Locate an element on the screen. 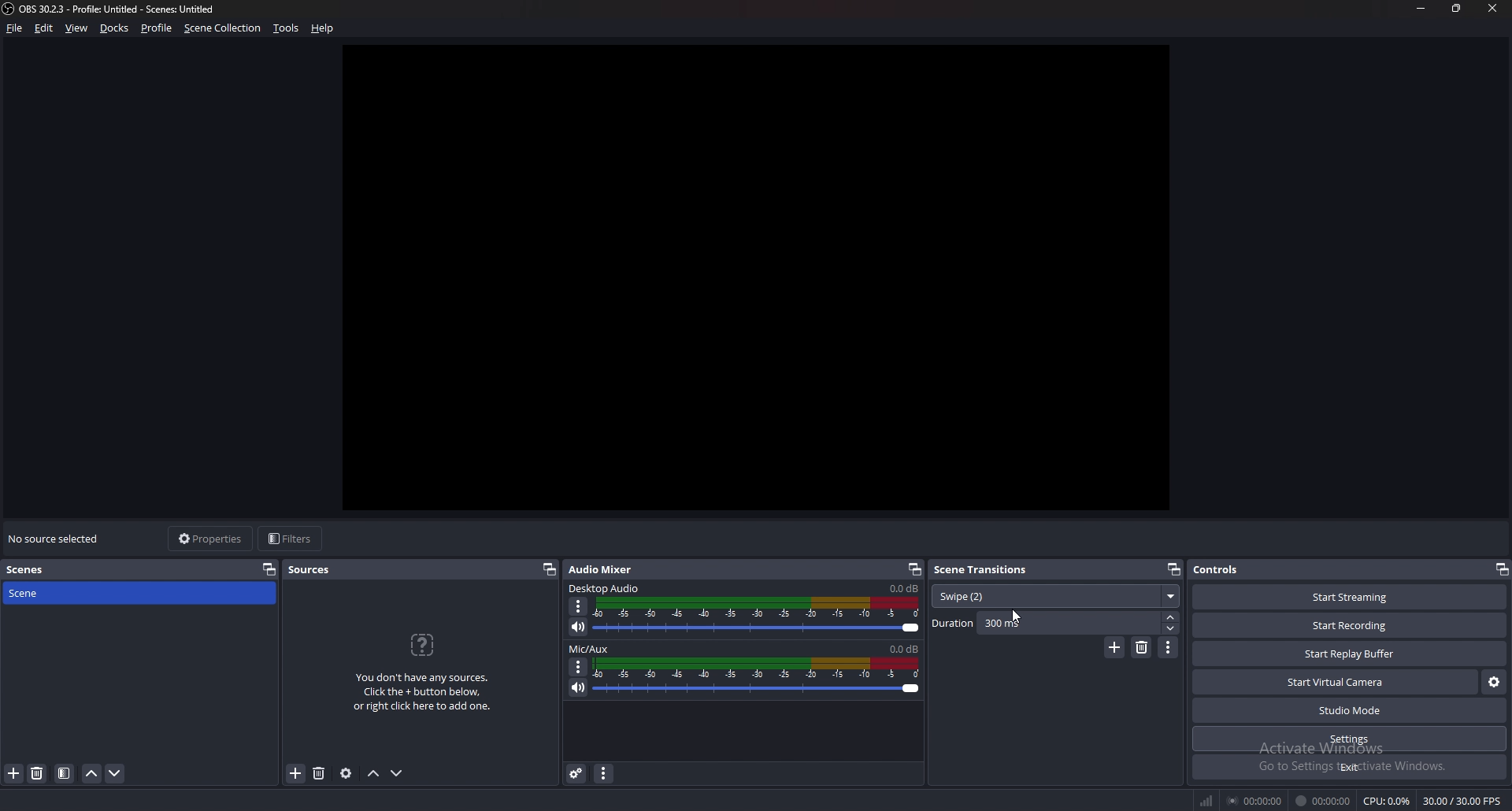 This screenshot has width=1512, height=811. duration is located at coordinates (1046, 623).